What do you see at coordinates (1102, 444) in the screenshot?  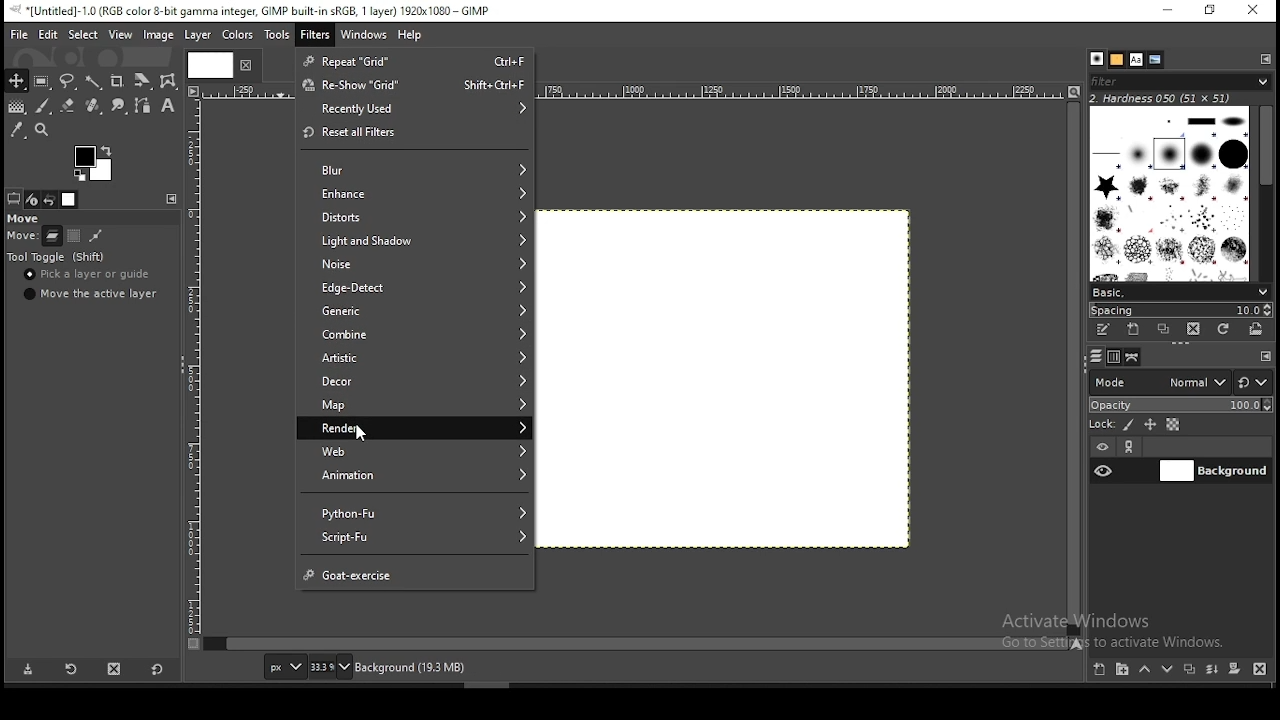 I see `layer visibility` at bounding box center [1102, 444].